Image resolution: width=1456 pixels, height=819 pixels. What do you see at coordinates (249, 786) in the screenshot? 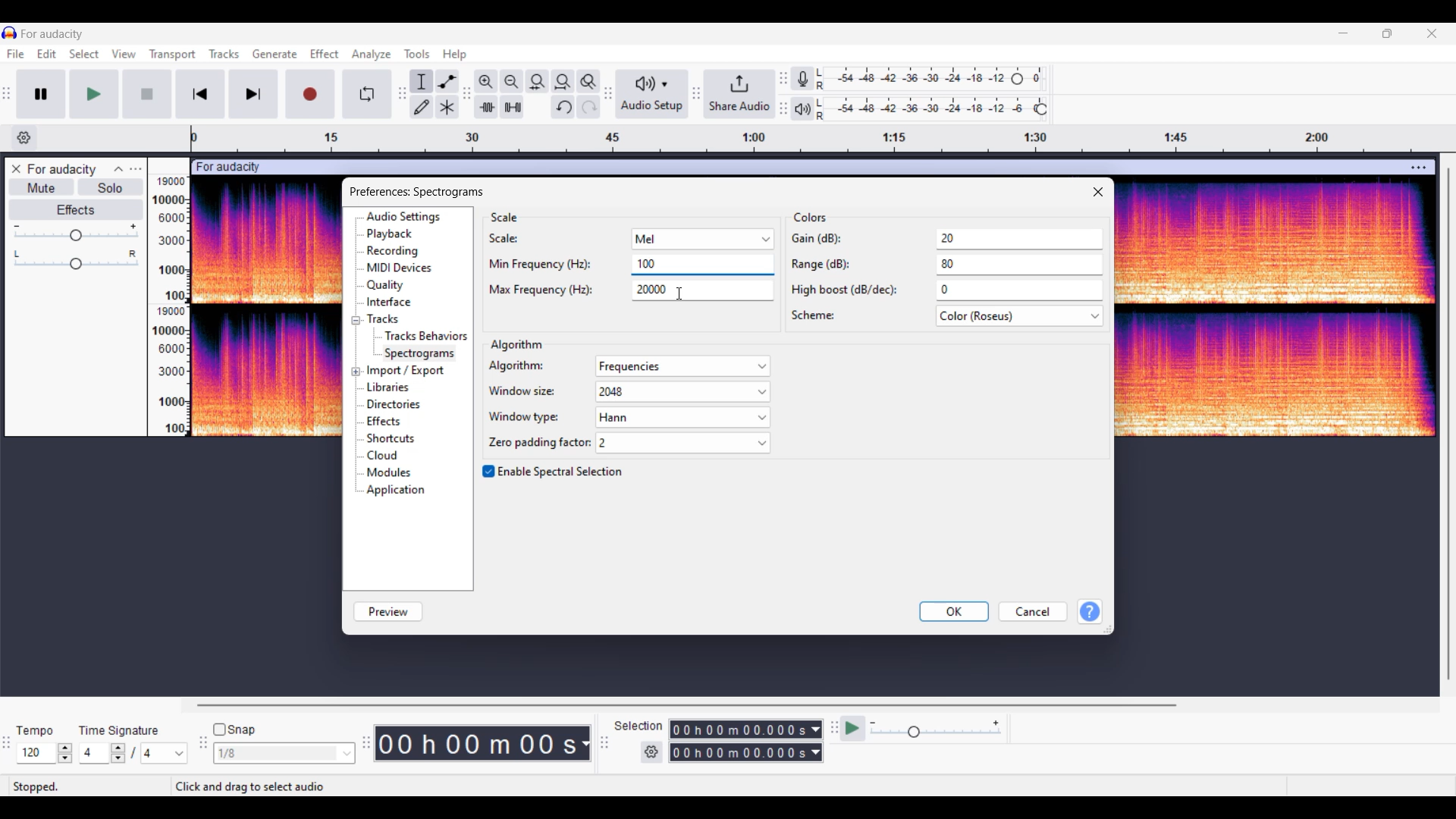
I see `click and drag to select audio` at bounding box center [249, 786].